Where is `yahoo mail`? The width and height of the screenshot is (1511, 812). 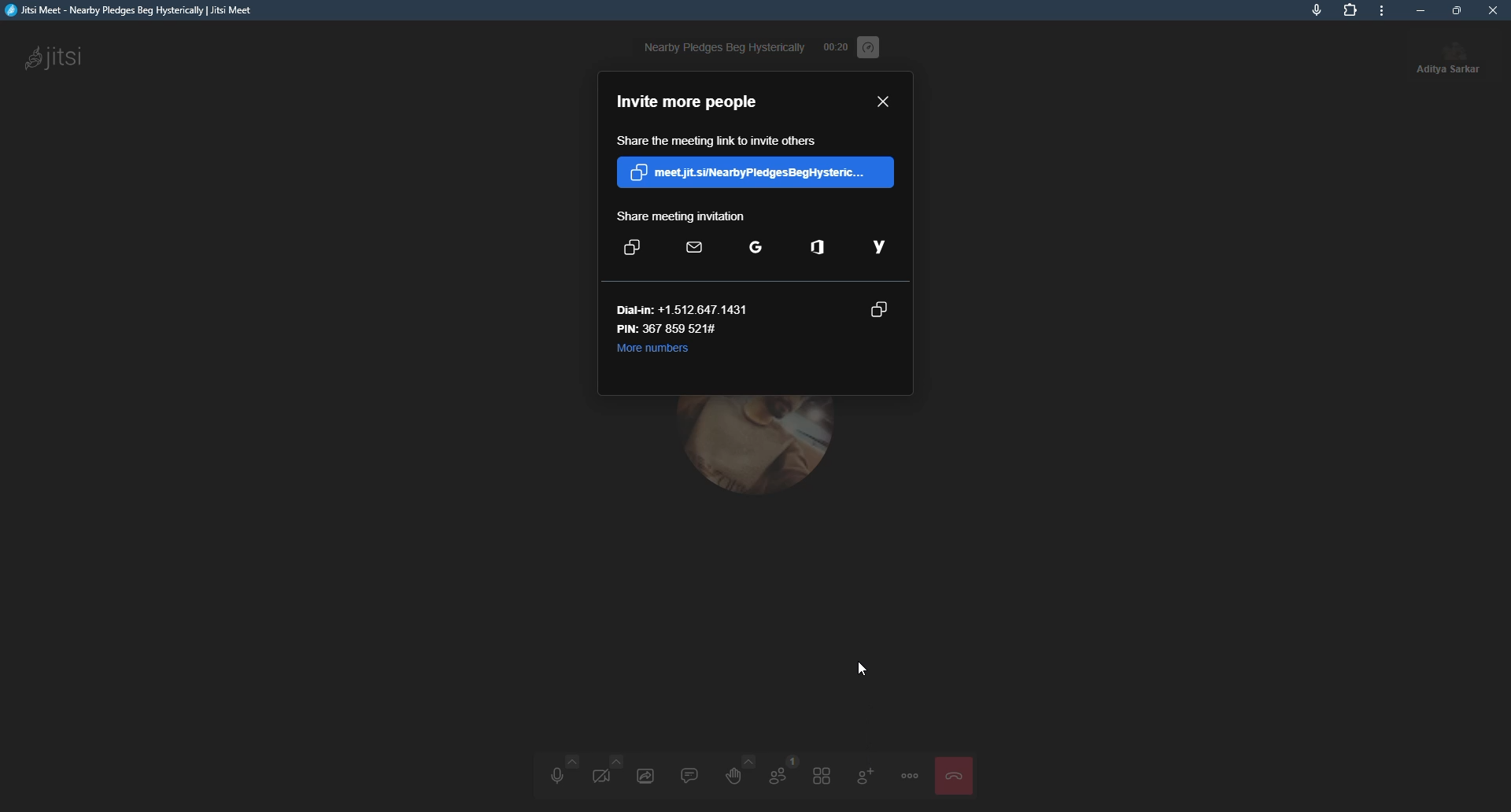
yahoo mail is located at coordinates (880, 248).